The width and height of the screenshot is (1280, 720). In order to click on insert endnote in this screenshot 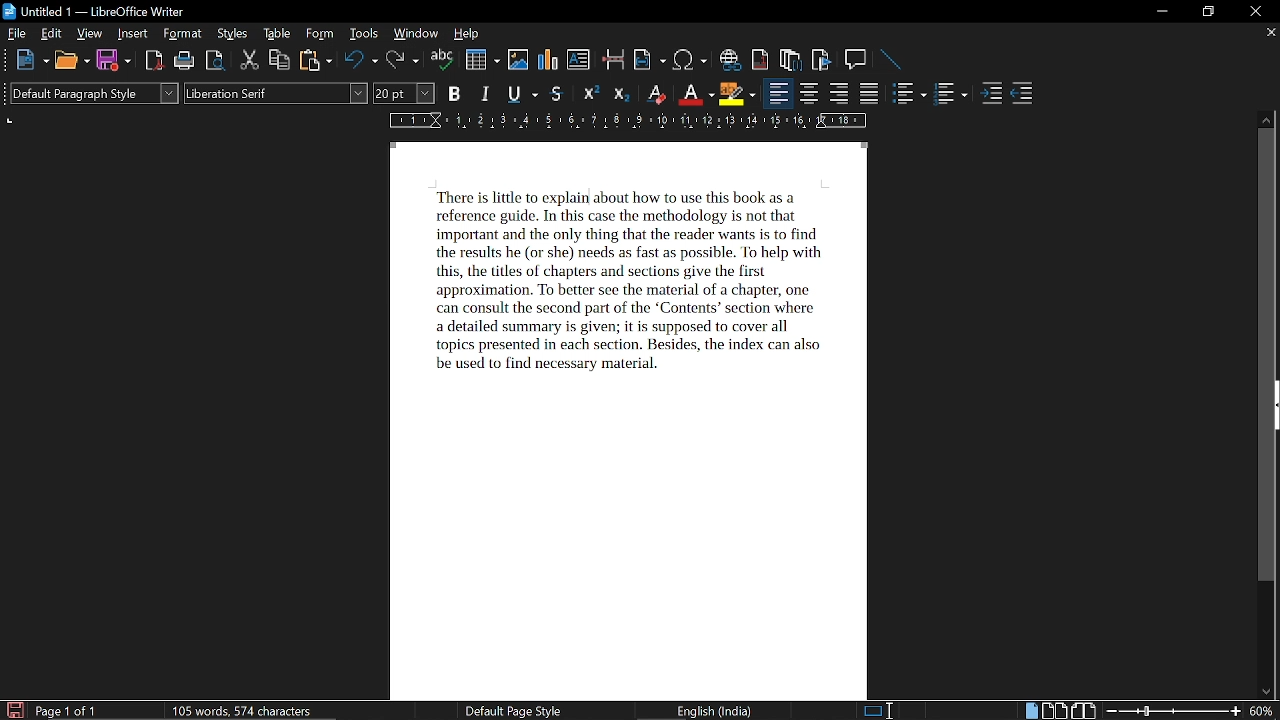, I will do `click(761, 59)`.